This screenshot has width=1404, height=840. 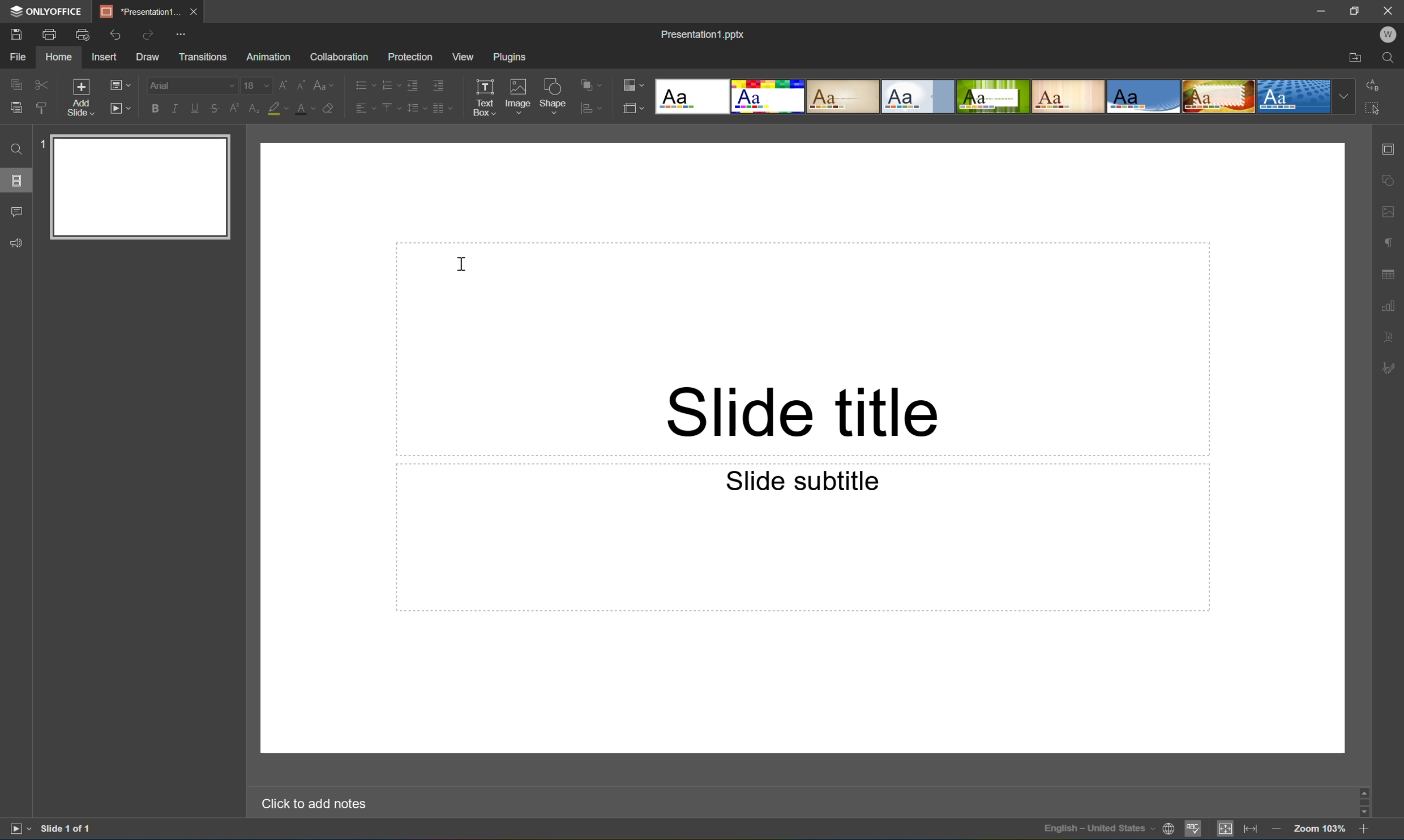 What do you see at coordinates (410, 57) in the screenshot?
I see `Protection` at bounding box center [410, 57].